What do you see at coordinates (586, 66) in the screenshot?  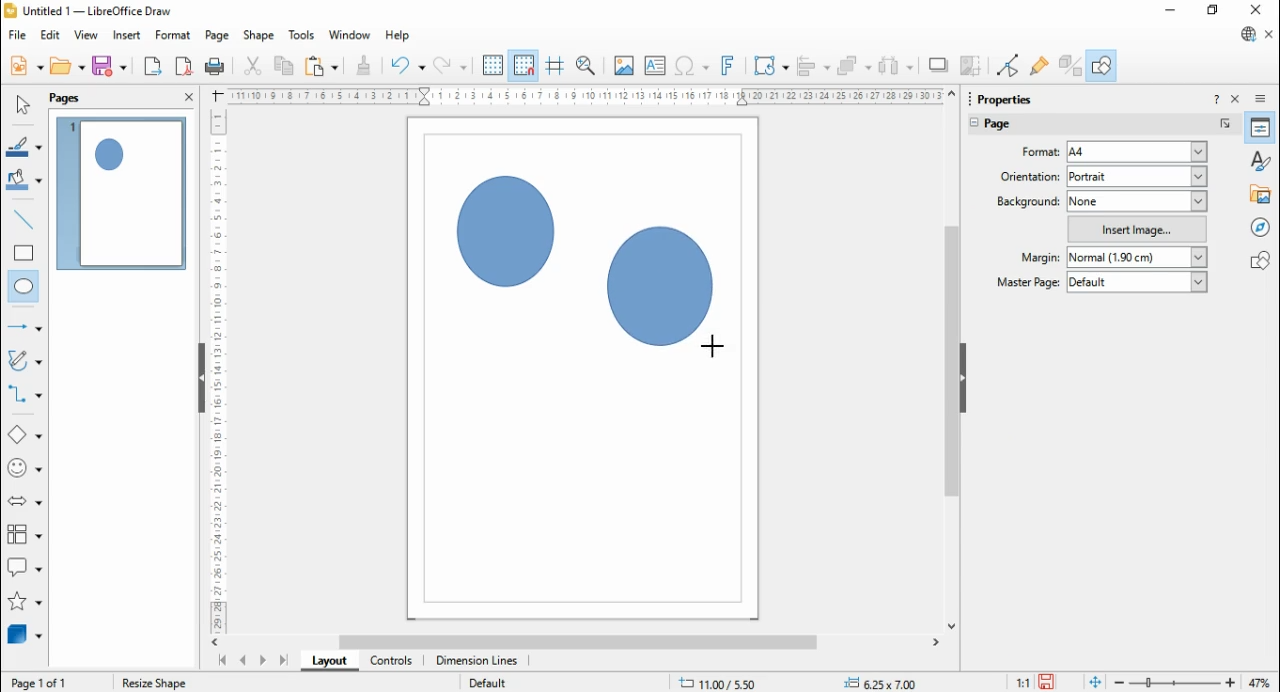 I see `zoom and pan` at bounding box center [586, 66].